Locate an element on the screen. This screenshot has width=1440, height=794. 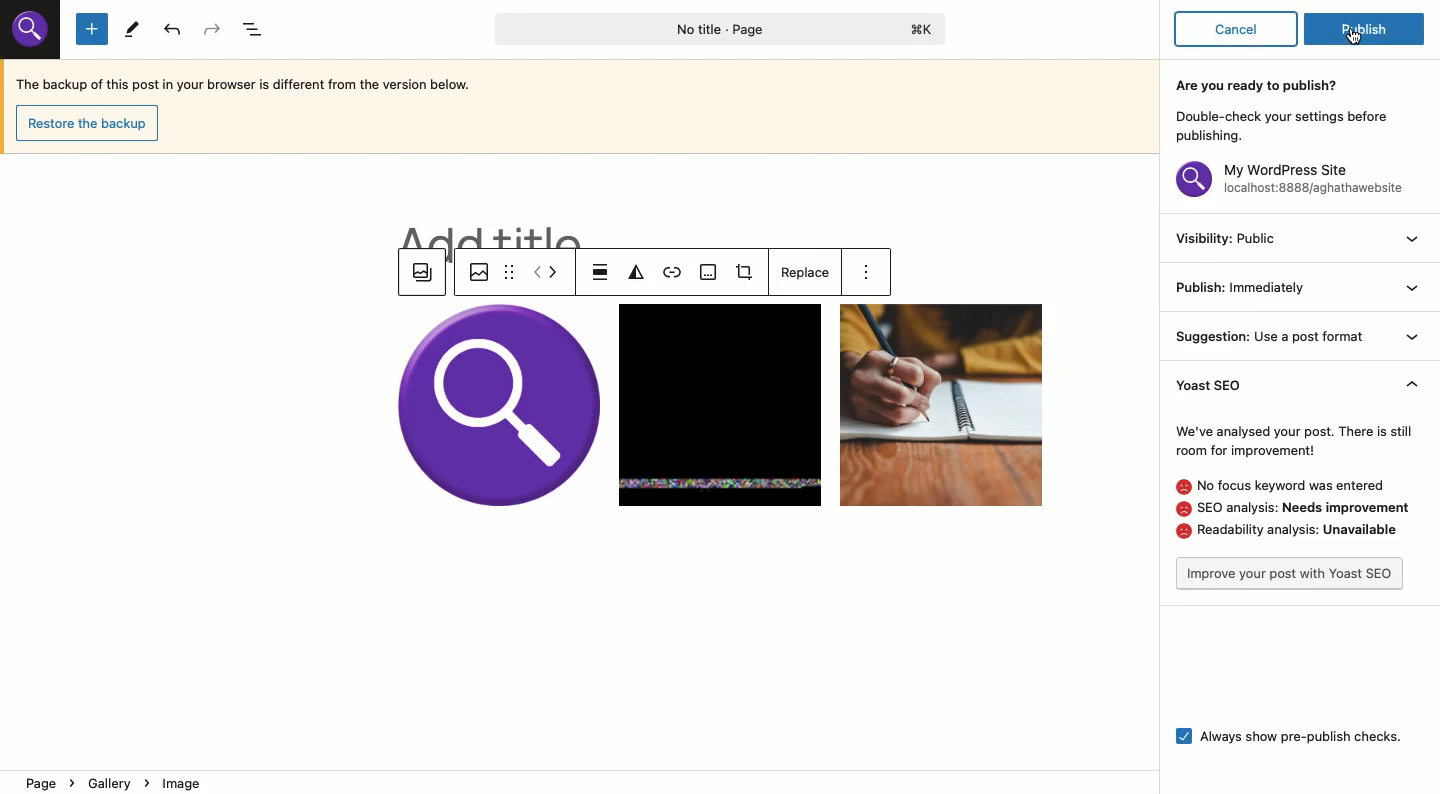
Are you ready to publish? is located at coordinates (1283, 107).